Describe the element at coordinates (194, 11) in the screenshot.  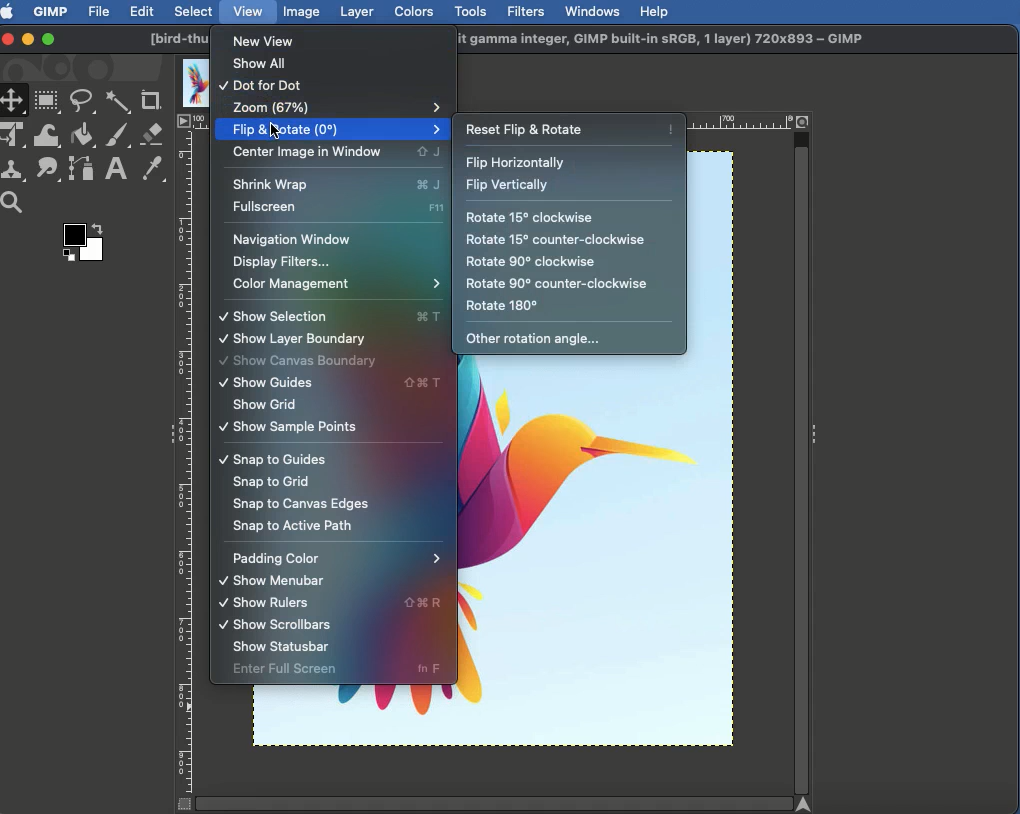
I see `Select` at that location.